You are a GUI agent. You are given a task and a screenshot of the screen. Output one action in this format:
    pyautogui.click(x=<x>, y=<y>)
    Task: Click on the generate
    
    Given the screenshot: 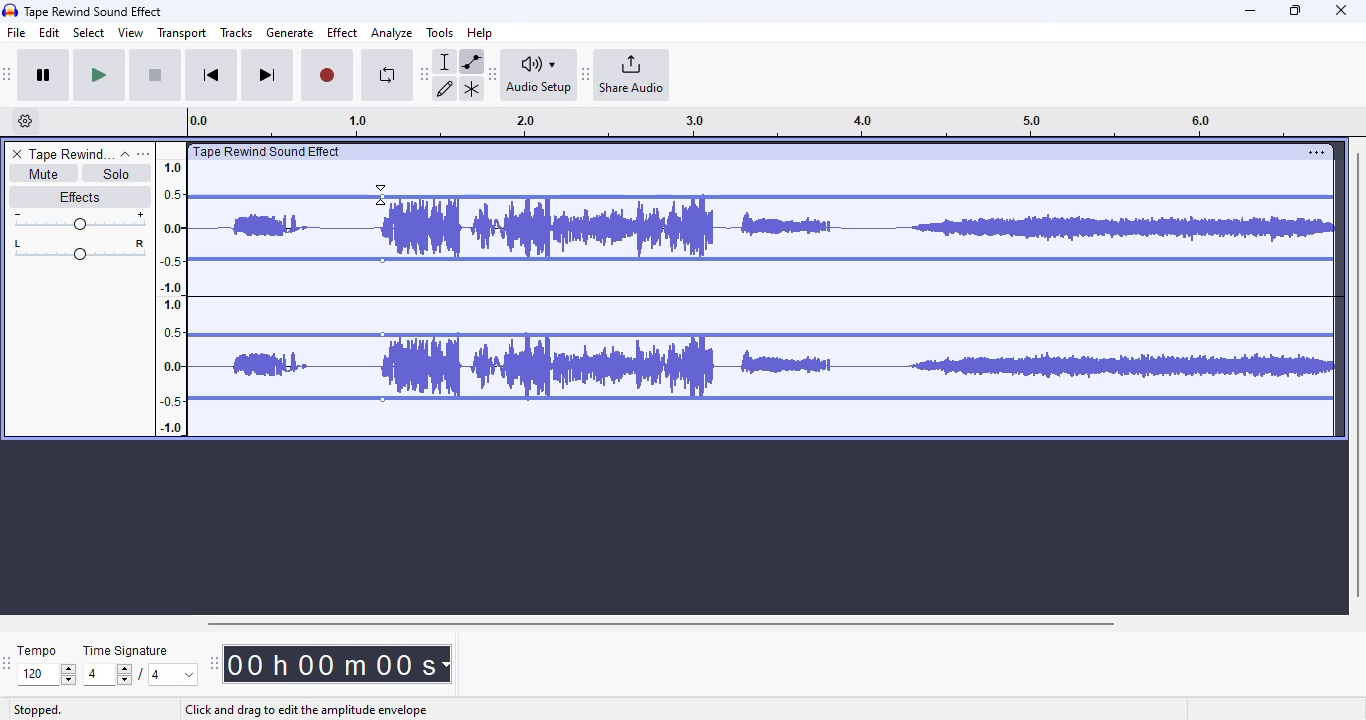 What is the action you would take?
    pyautogui.click(x=290, y=33)
    